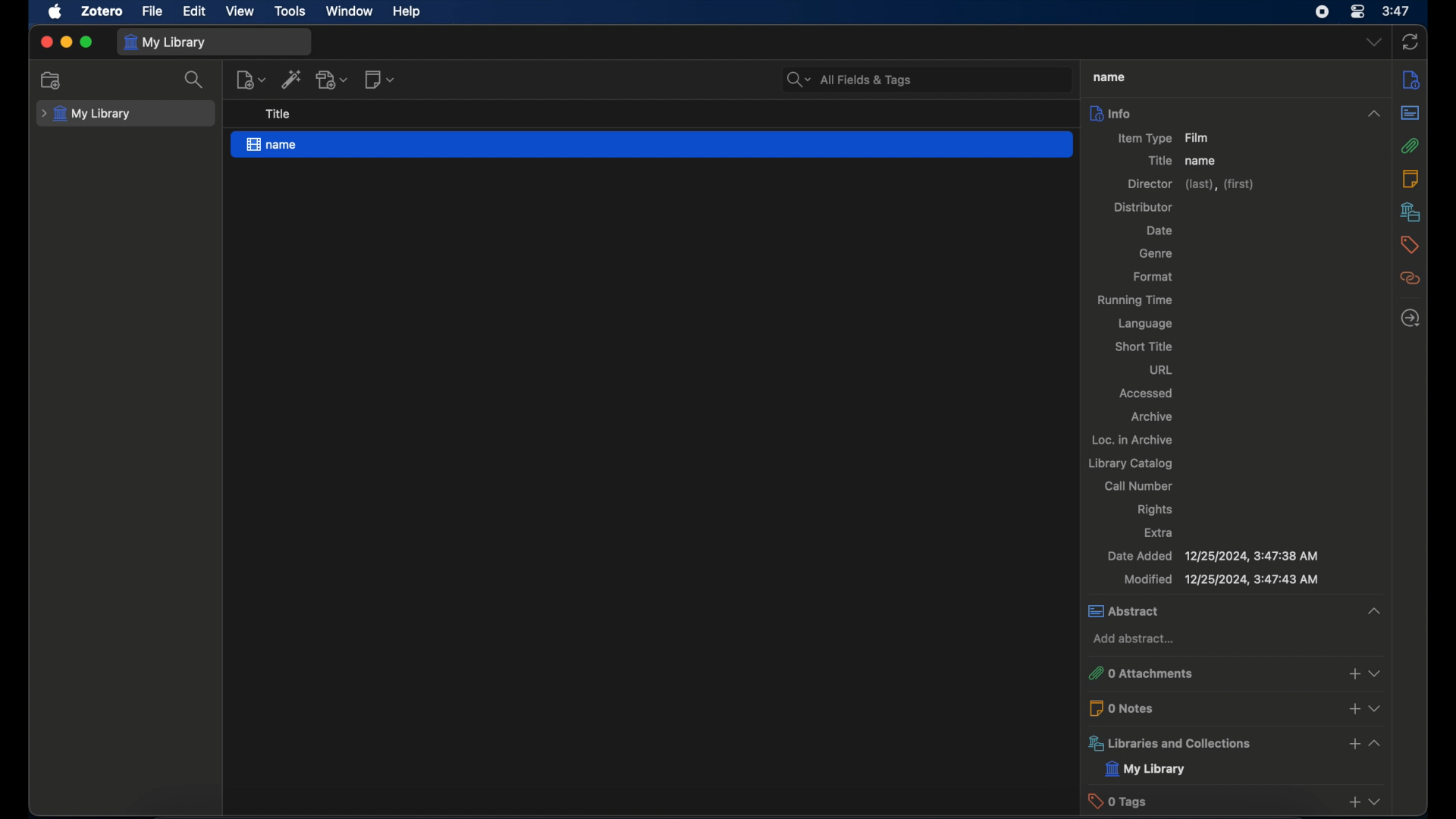 Image resolution: width=1456 pixels, height=819 pixels. I want to click on title, so click(1159, 161).